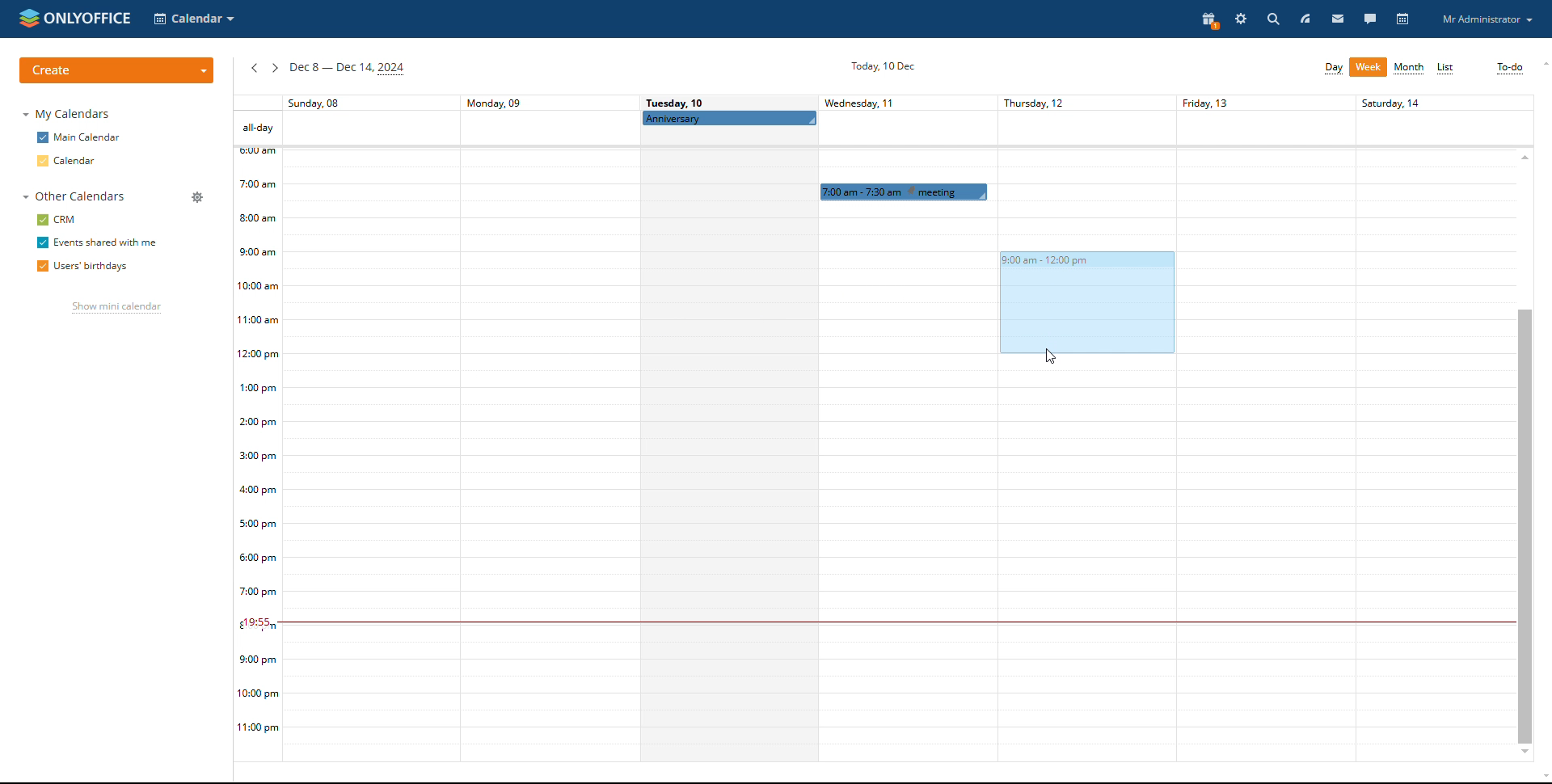  What do you see at coordinates (1338, 18) in the screenshot?
I see `mail` at bounding box center [1338, 18].